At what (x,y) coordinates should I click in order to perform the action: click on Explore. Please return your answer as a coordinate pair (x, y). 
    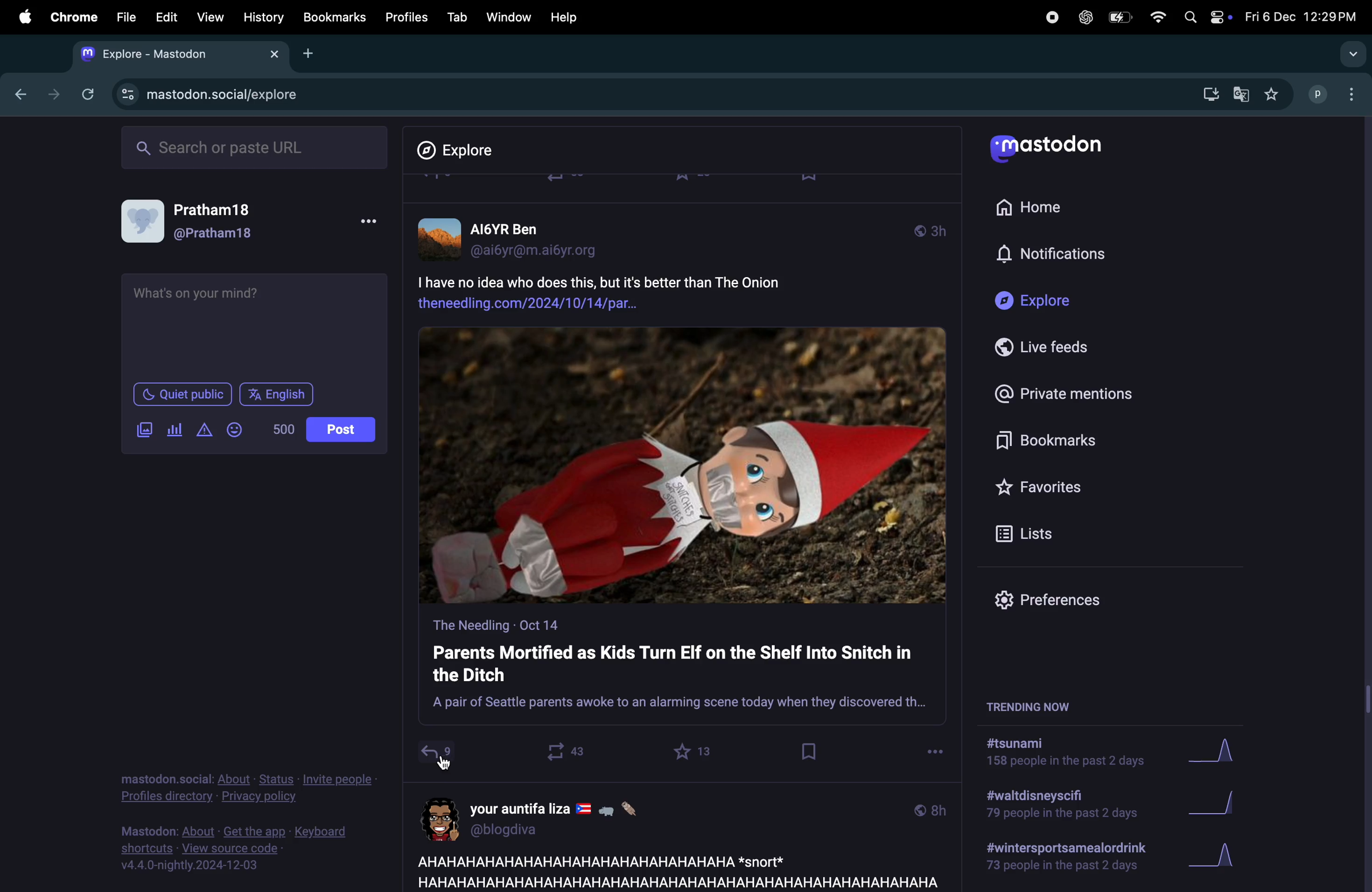
    Looking at the image, I should click on (1039, 301).